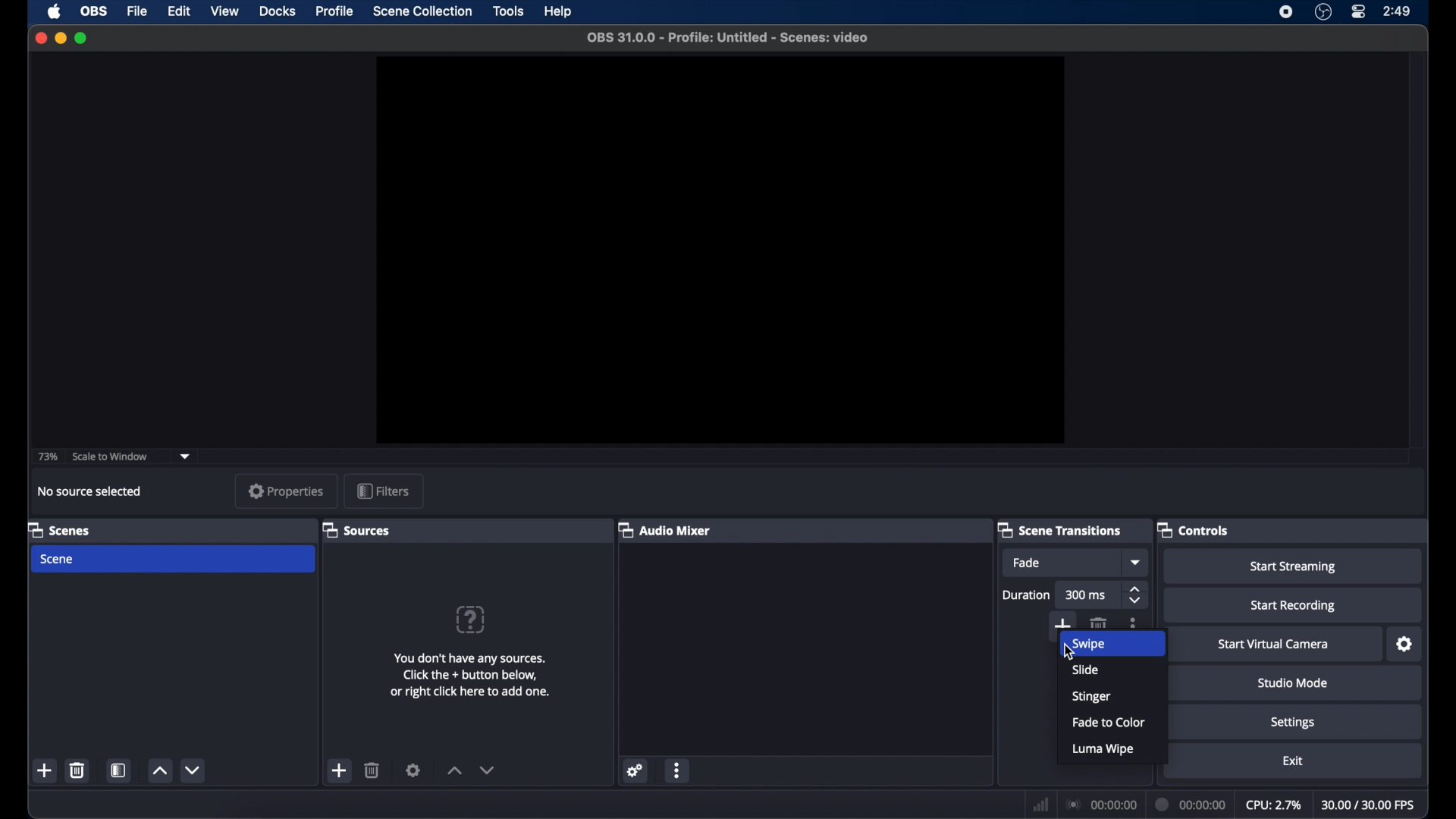 The width and height of the screenshot is (1456, 819). What do you see at coordinates (1104, 749) in the screenshot?
I see `luma wipe` at bounding box center [1104, 749].